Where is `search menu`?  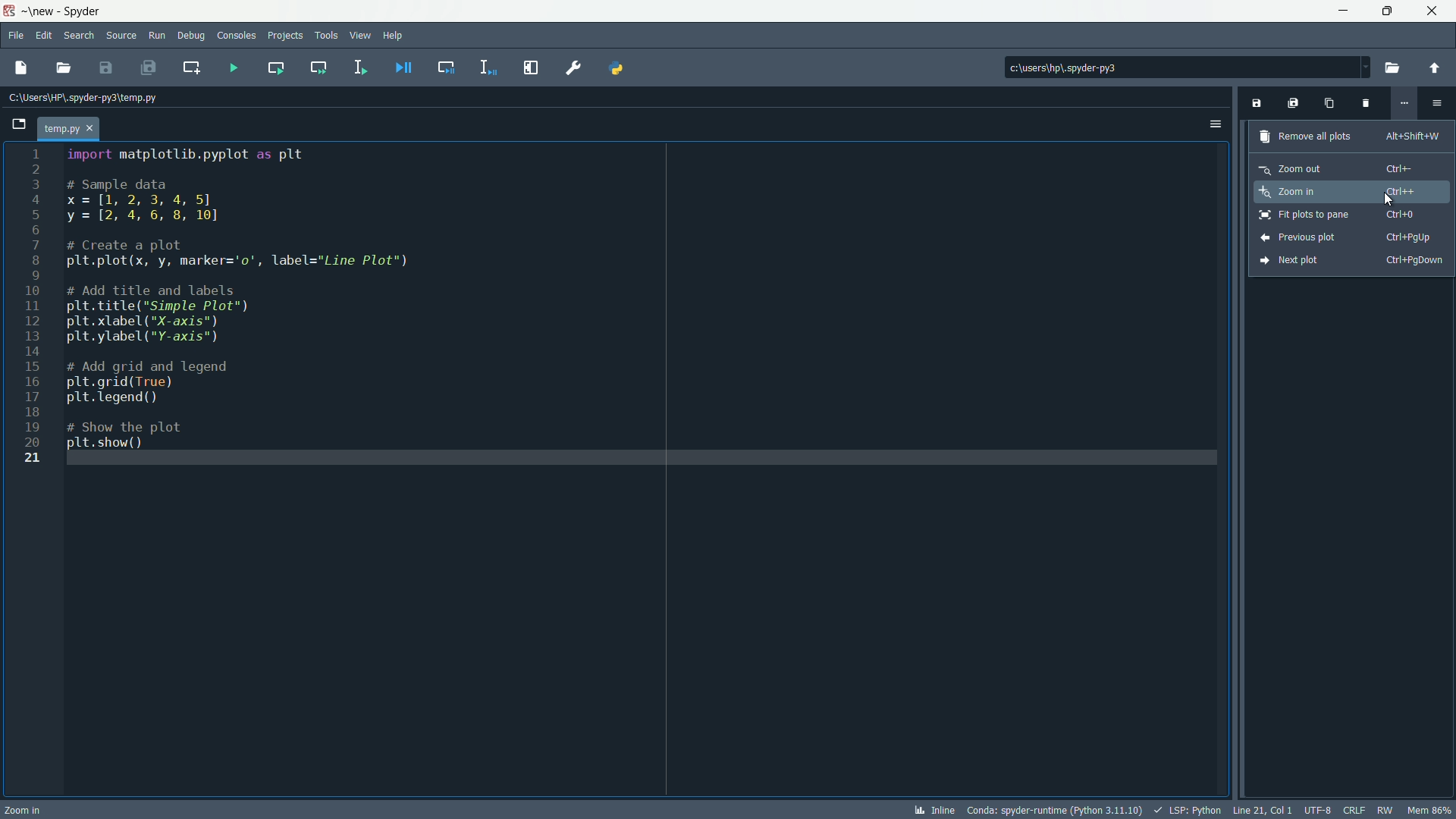 search menu is located at coordinates (80, 35).